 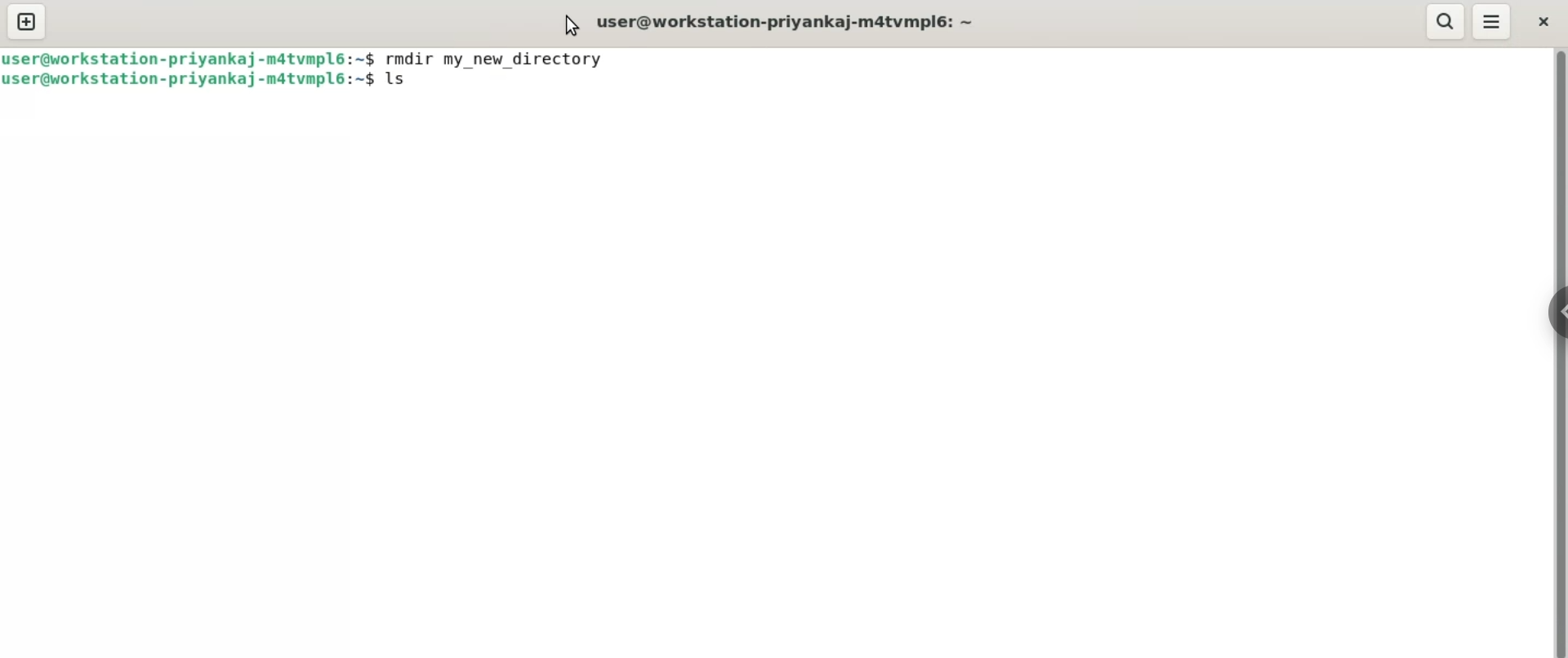 What do you see at coordinates (496, 57) in the screenshot?
I see `rmdir my_new_directory` at bounding box center [496, 57].